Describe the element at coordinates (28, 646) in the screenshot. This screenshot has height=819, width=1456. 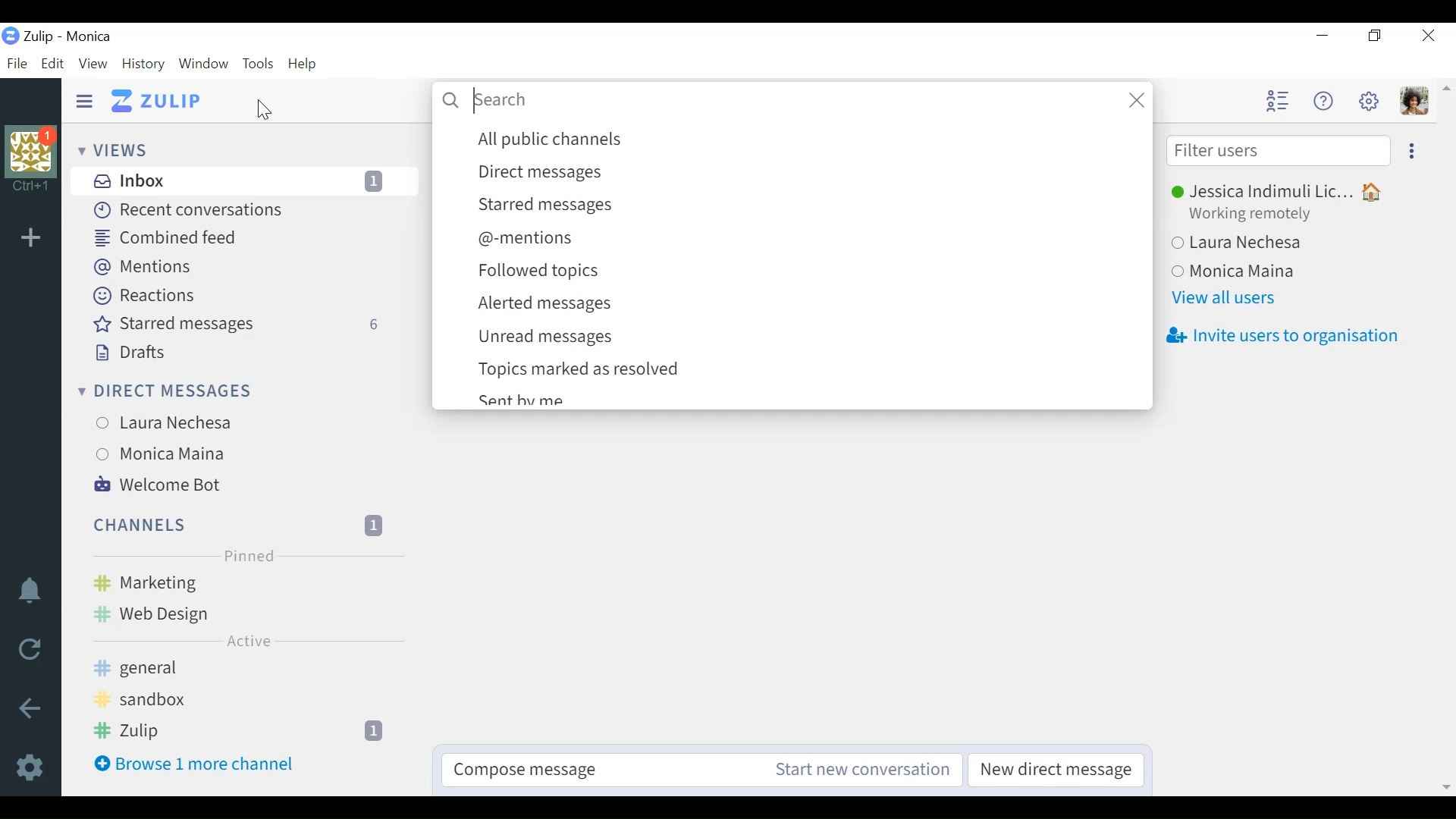
I see `Reload` at that location.